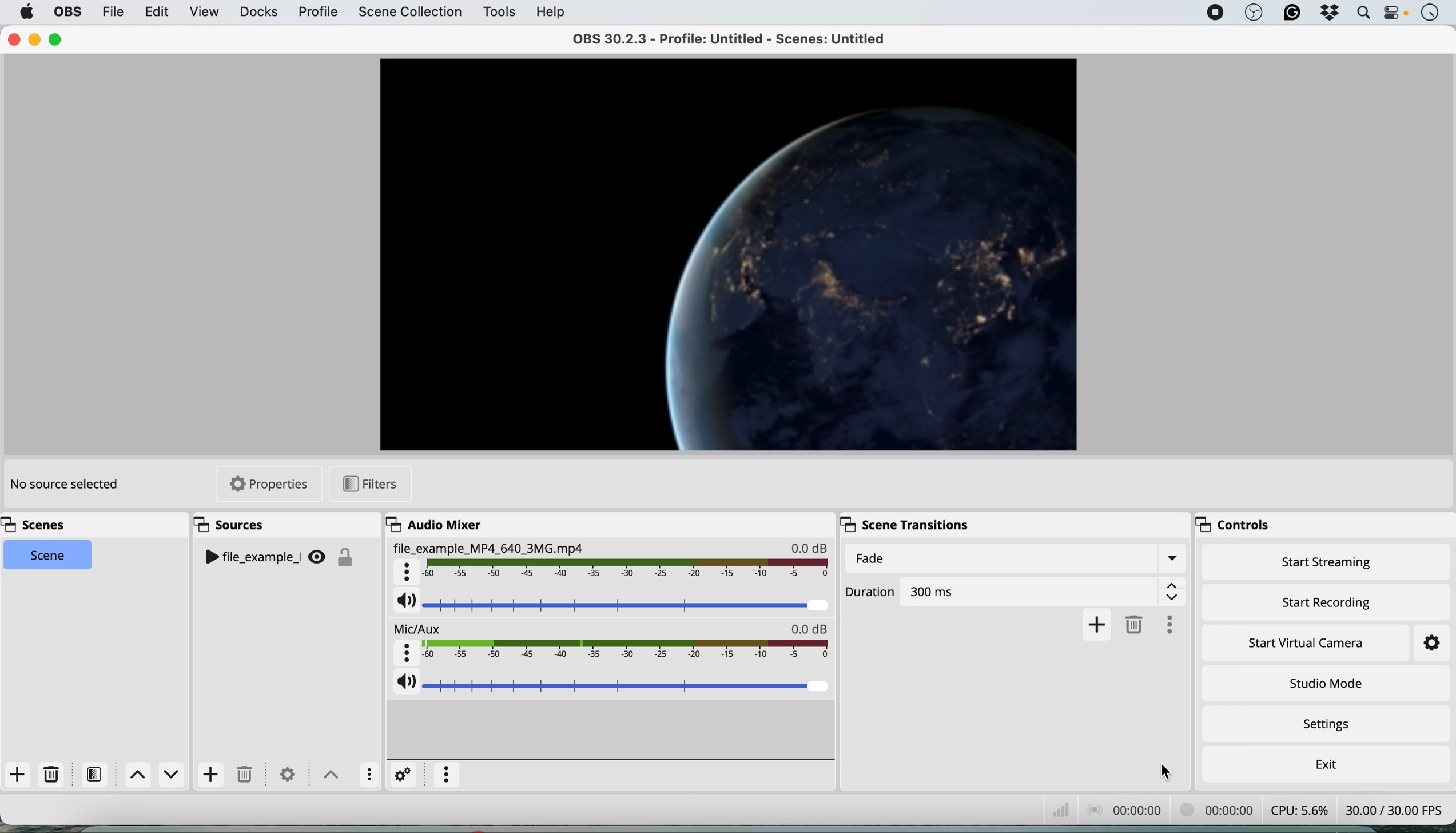  I want to click on start streaming, so click(1327, 565).